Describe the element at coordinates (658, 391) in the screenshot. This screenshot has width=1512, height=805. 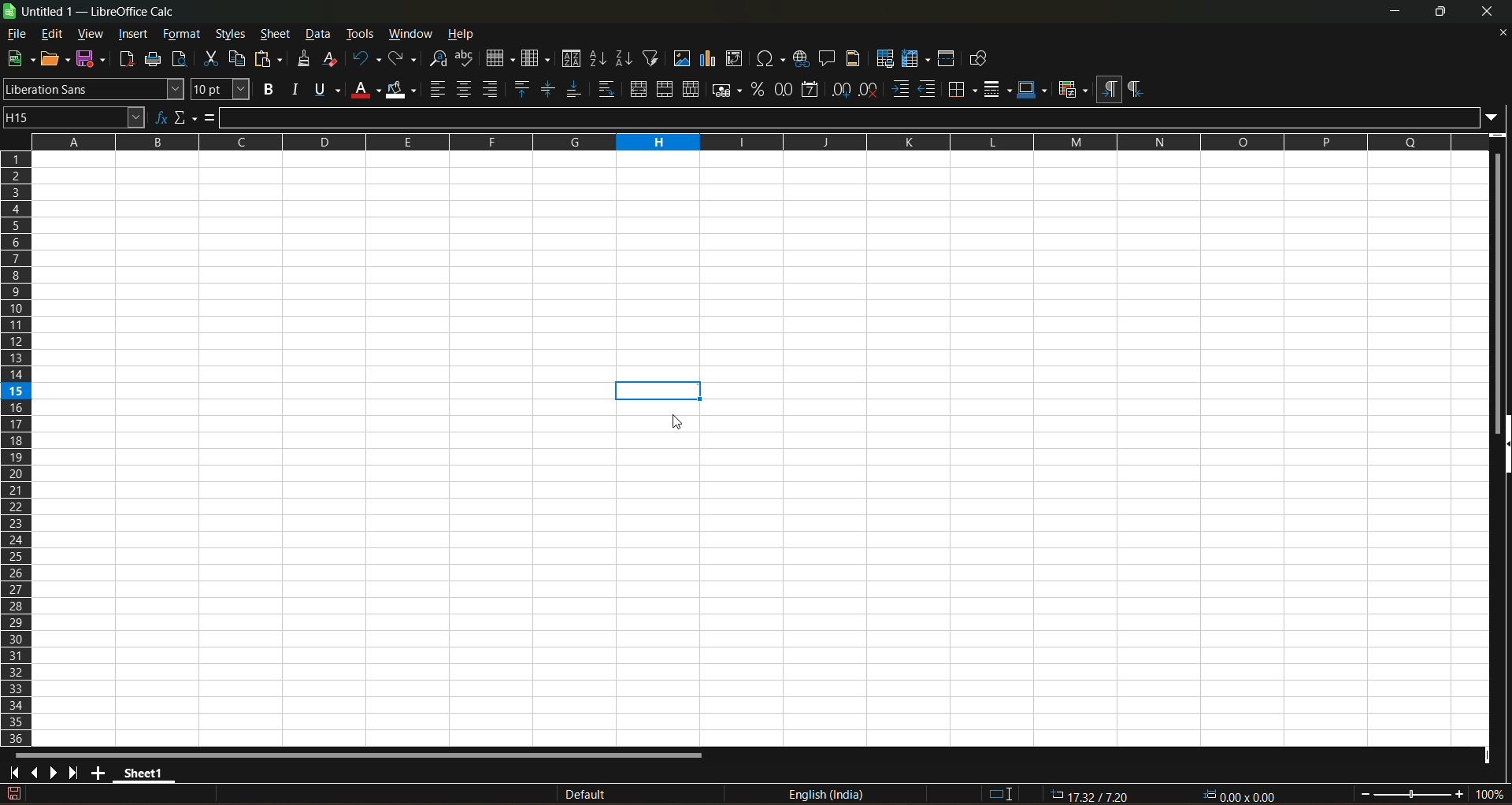
I see `Added comment to the cell.` at that location.